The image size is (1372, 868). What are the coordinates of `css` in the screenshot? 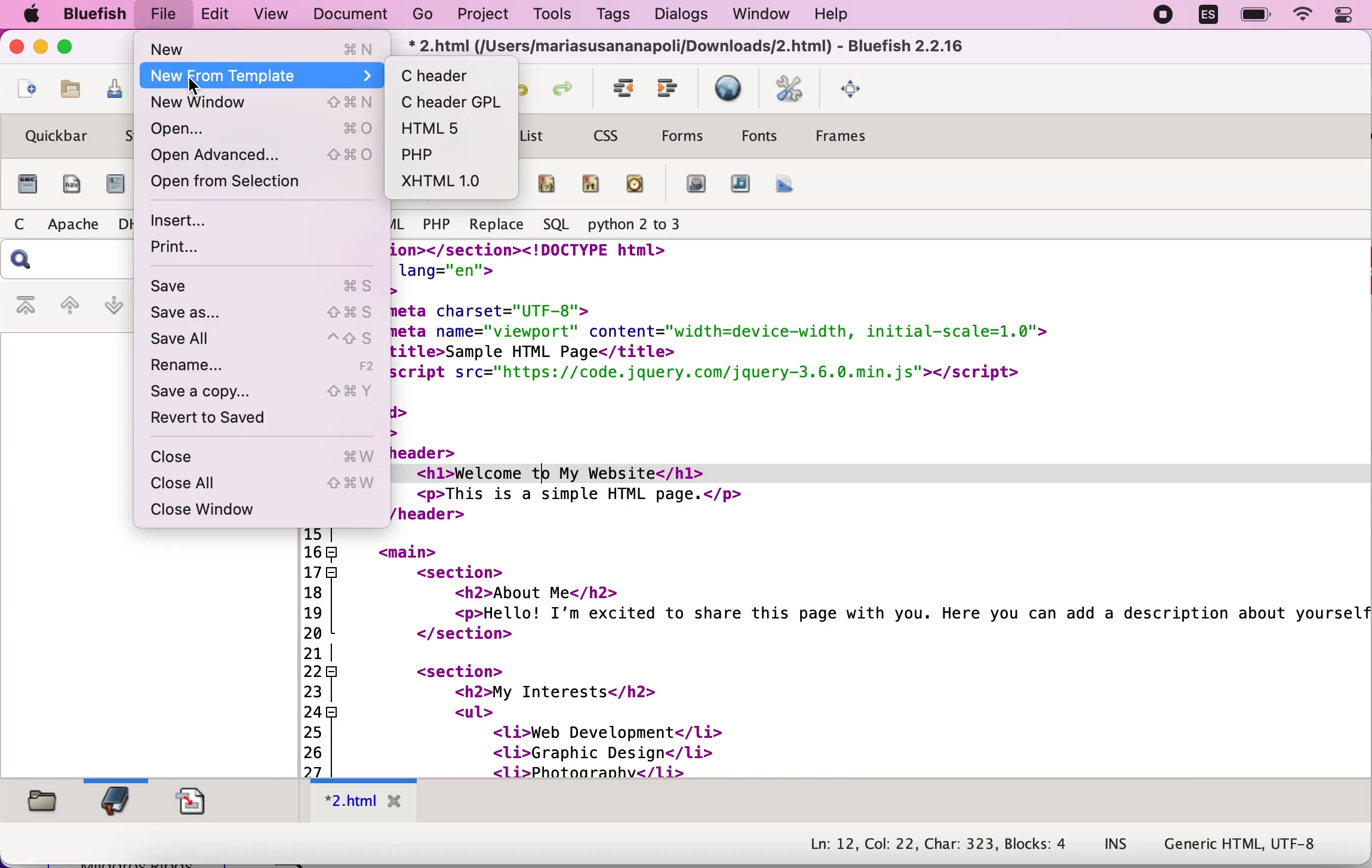 It's located at (606, 136).